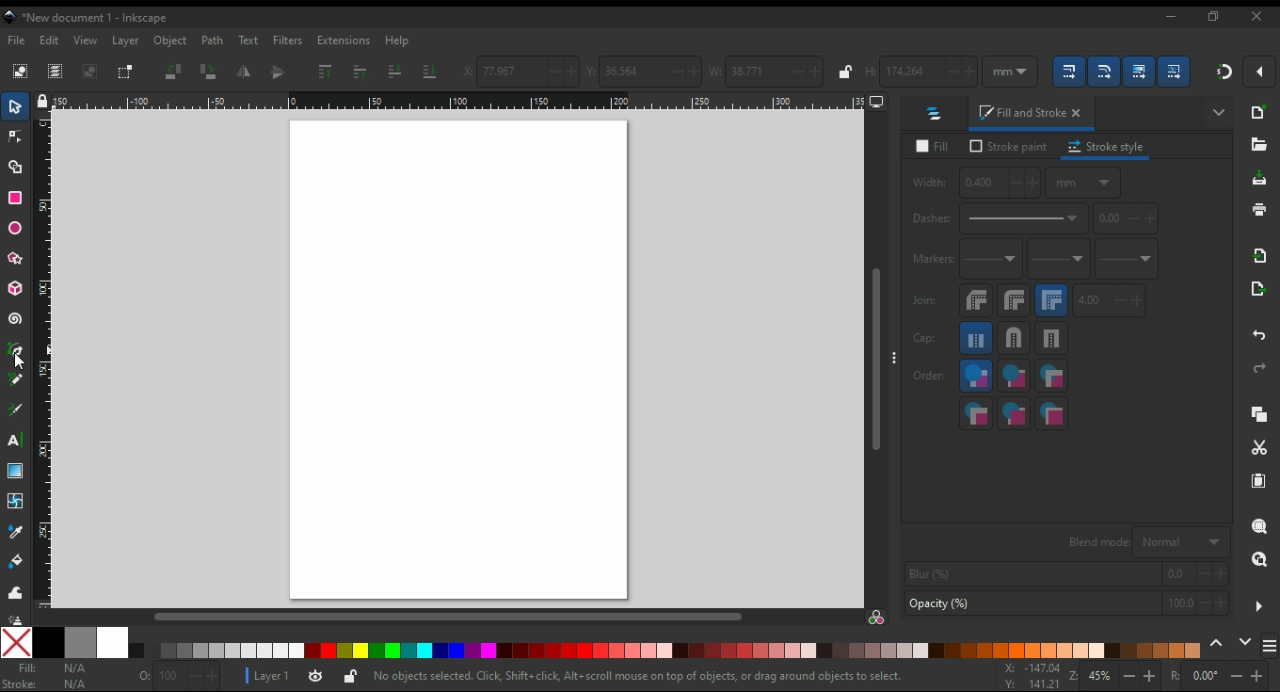 This screenshot has height=692, width=1280. Describe the element at coordinates (878, 617) in the screenshot. I see `color manager mode` at that location.